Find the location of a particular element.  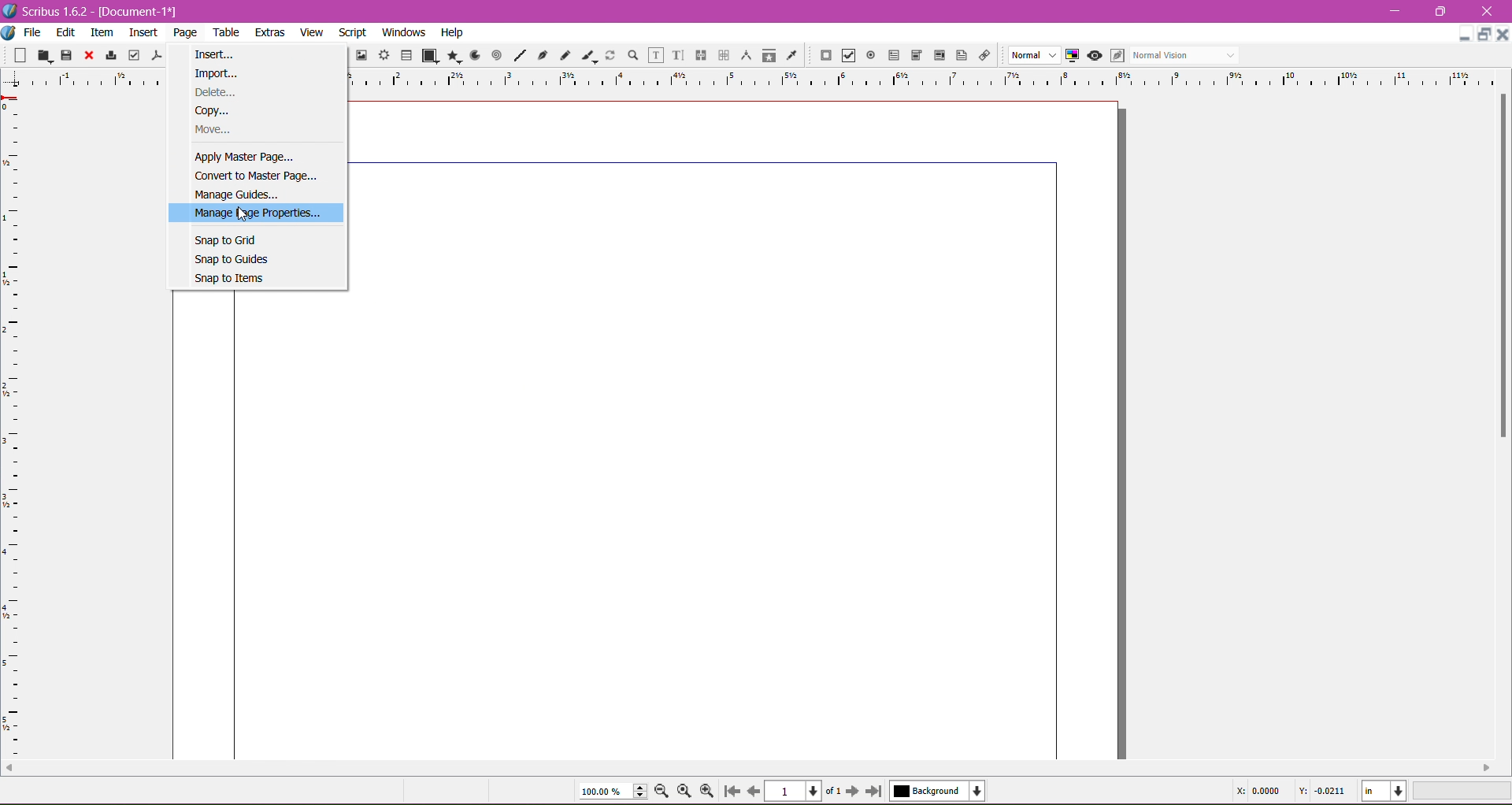

Select the current unit is located at coordinates (1384, 792).